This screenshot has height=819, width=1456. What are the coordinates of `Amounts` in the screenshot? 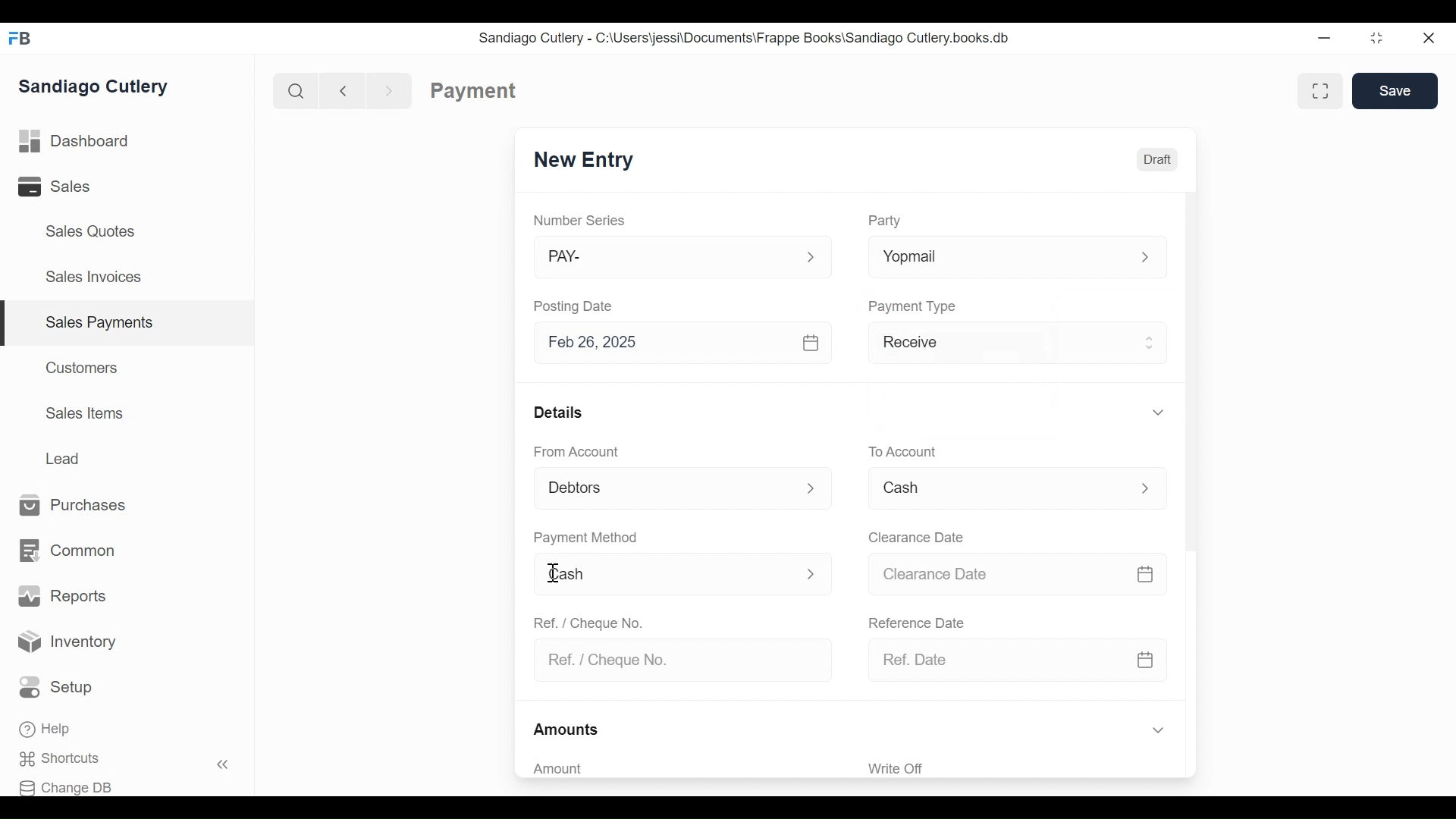 It's located at (567, 730).